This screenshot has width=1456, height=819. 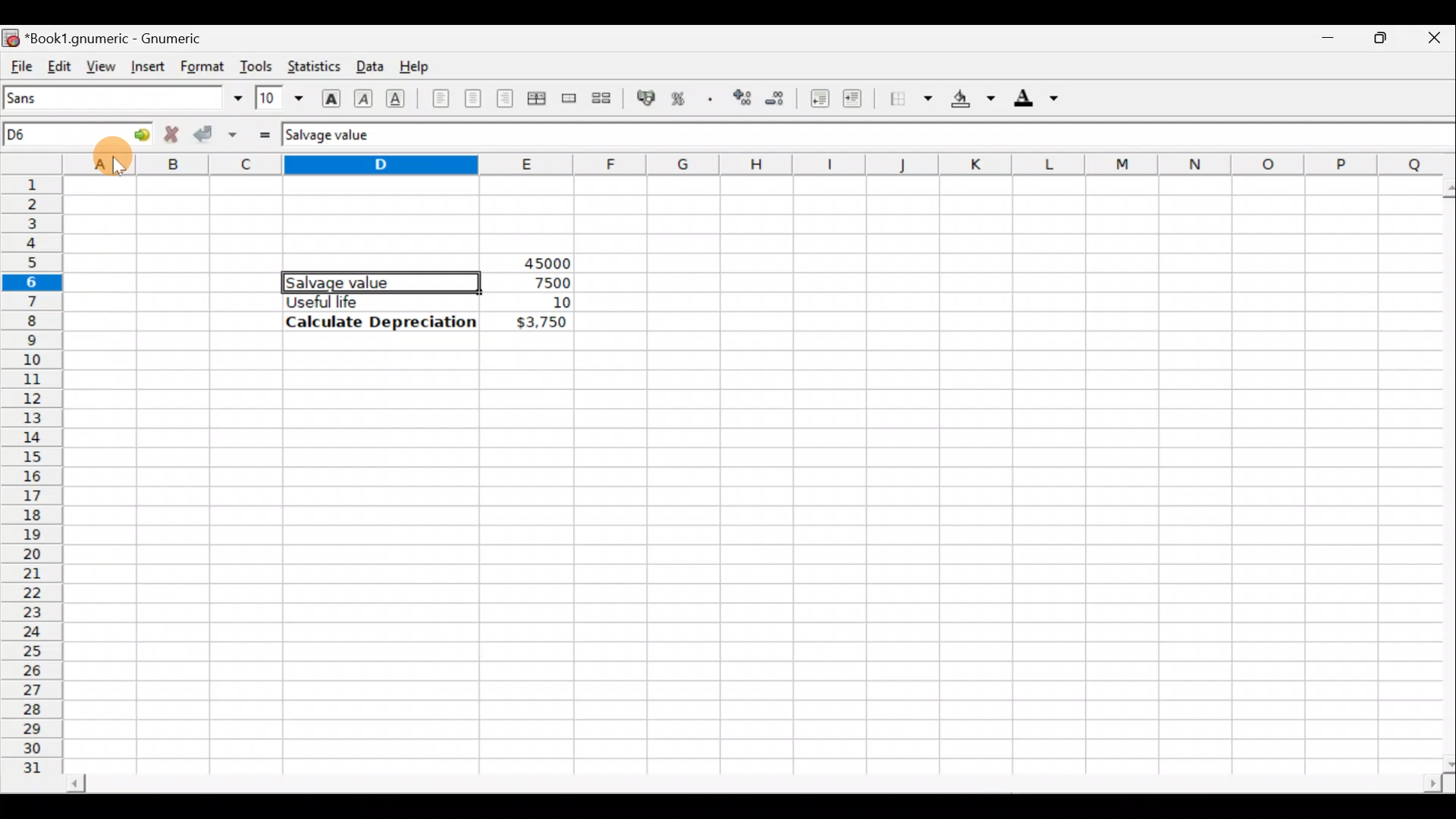 I want to click on Edit, so click(x=59, y=65).